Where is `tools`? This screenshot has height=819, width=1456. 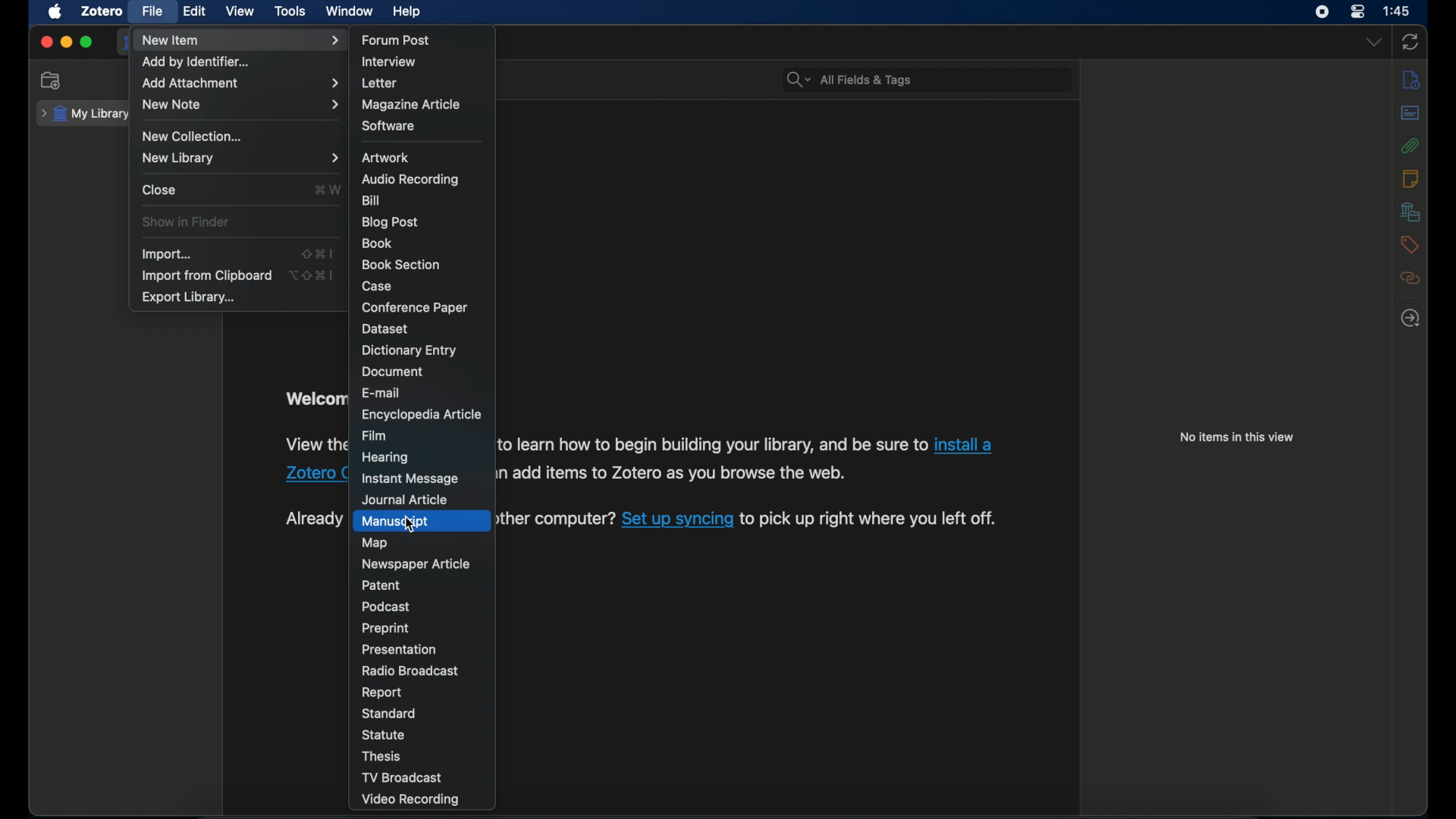 tools is located at coordinates (290, 12).